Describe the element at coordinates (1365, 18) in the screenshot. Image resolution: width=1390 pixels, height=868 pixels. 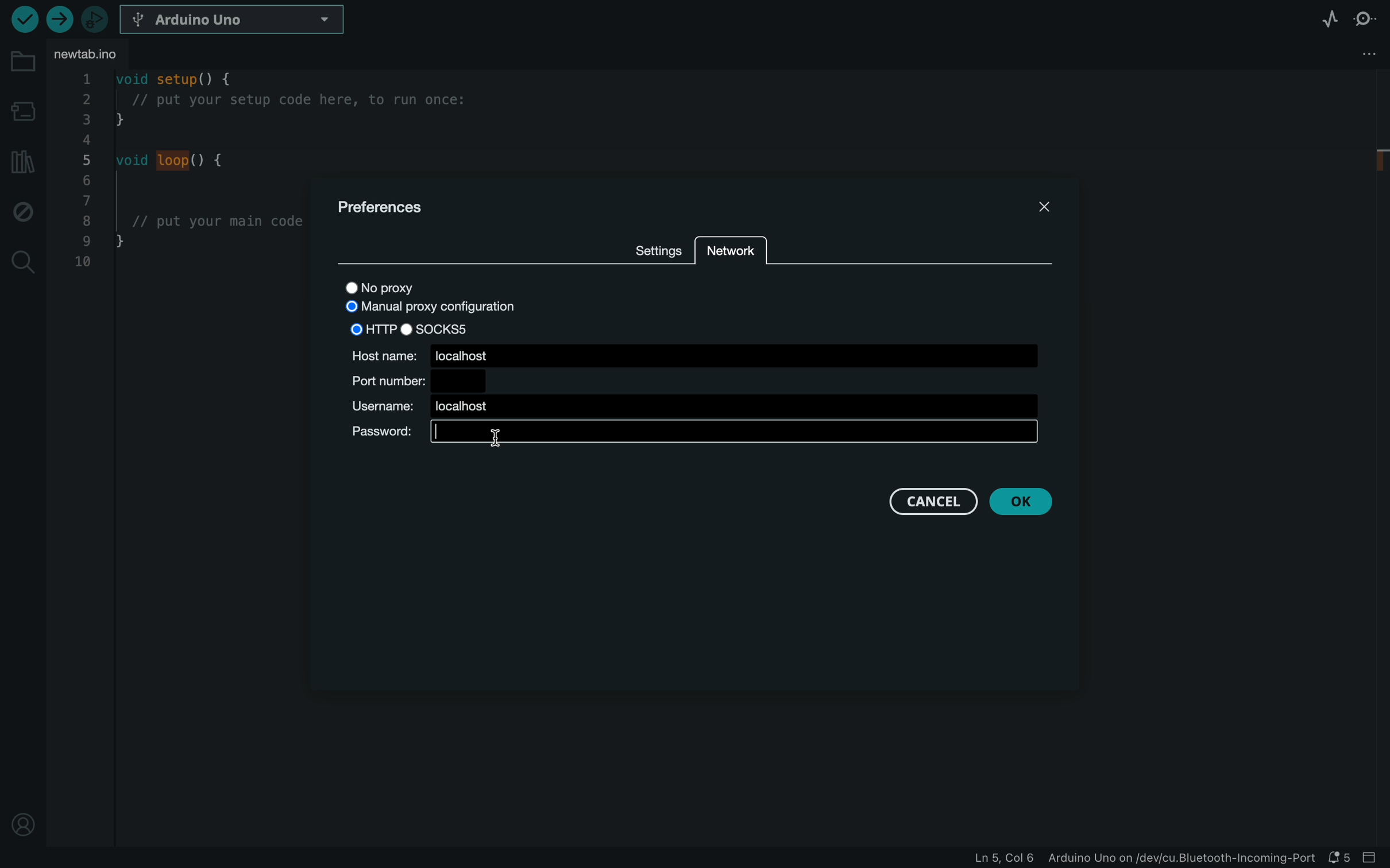
I see `serial monitor` at that location.